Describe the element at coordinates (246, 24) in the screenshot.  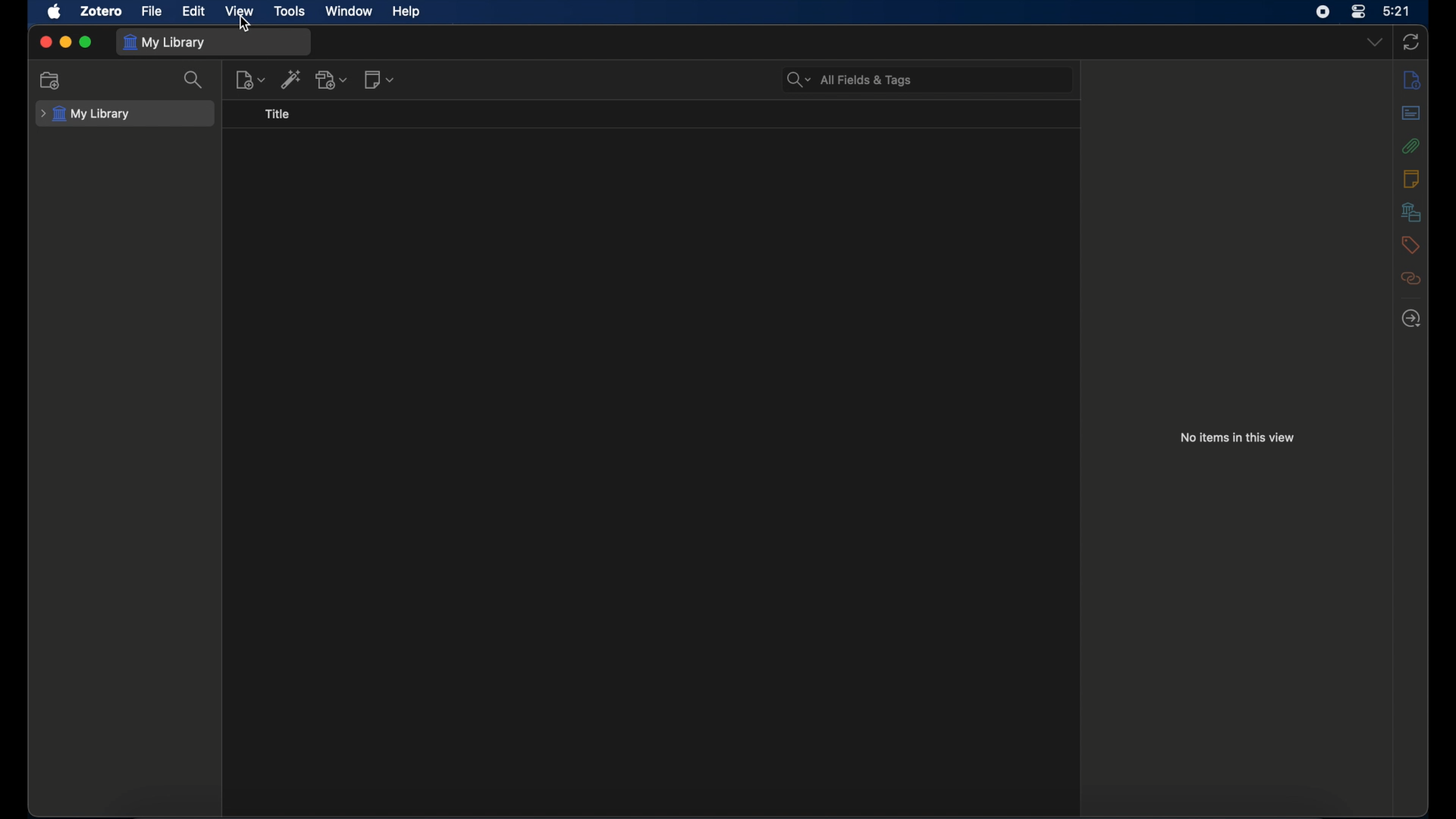
I see `cursor` at that location.